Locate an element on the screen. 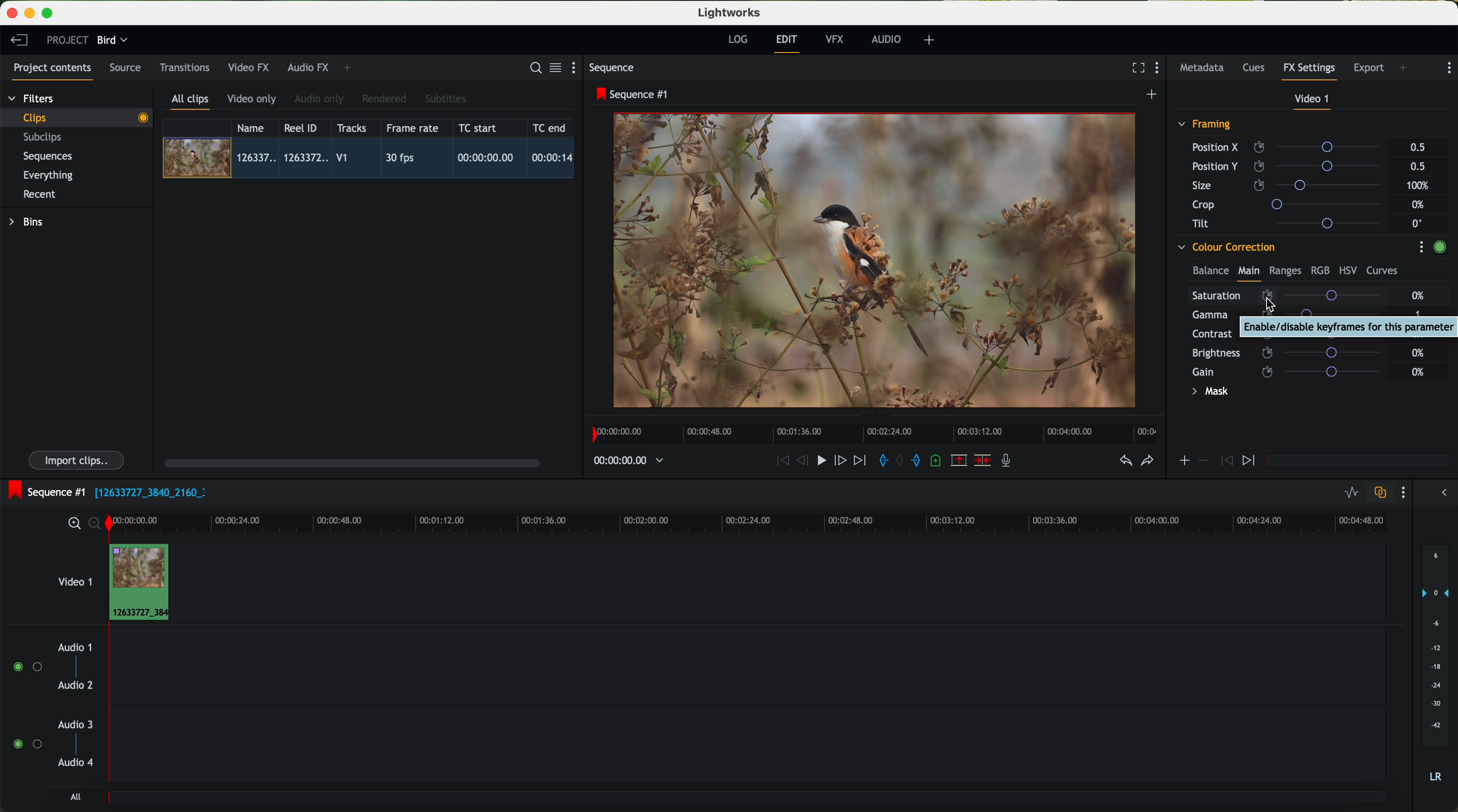 This screenshot has height=812, width=1458. audio is located at coordinates (886, 39).